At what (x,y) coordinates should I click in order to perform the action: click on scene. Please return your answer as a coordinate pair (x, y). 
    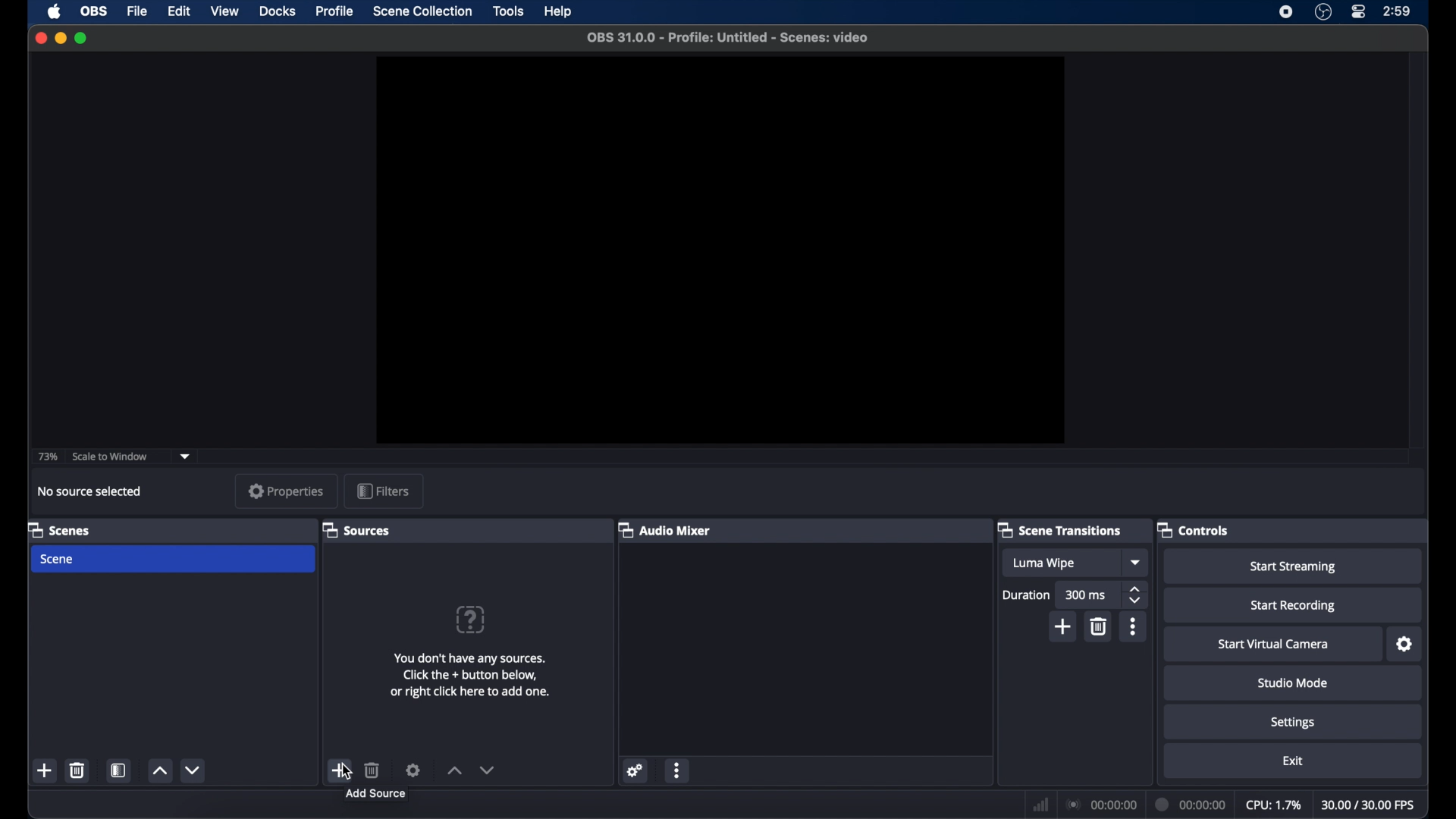
    Looking at the image, I should click on (58, 560).